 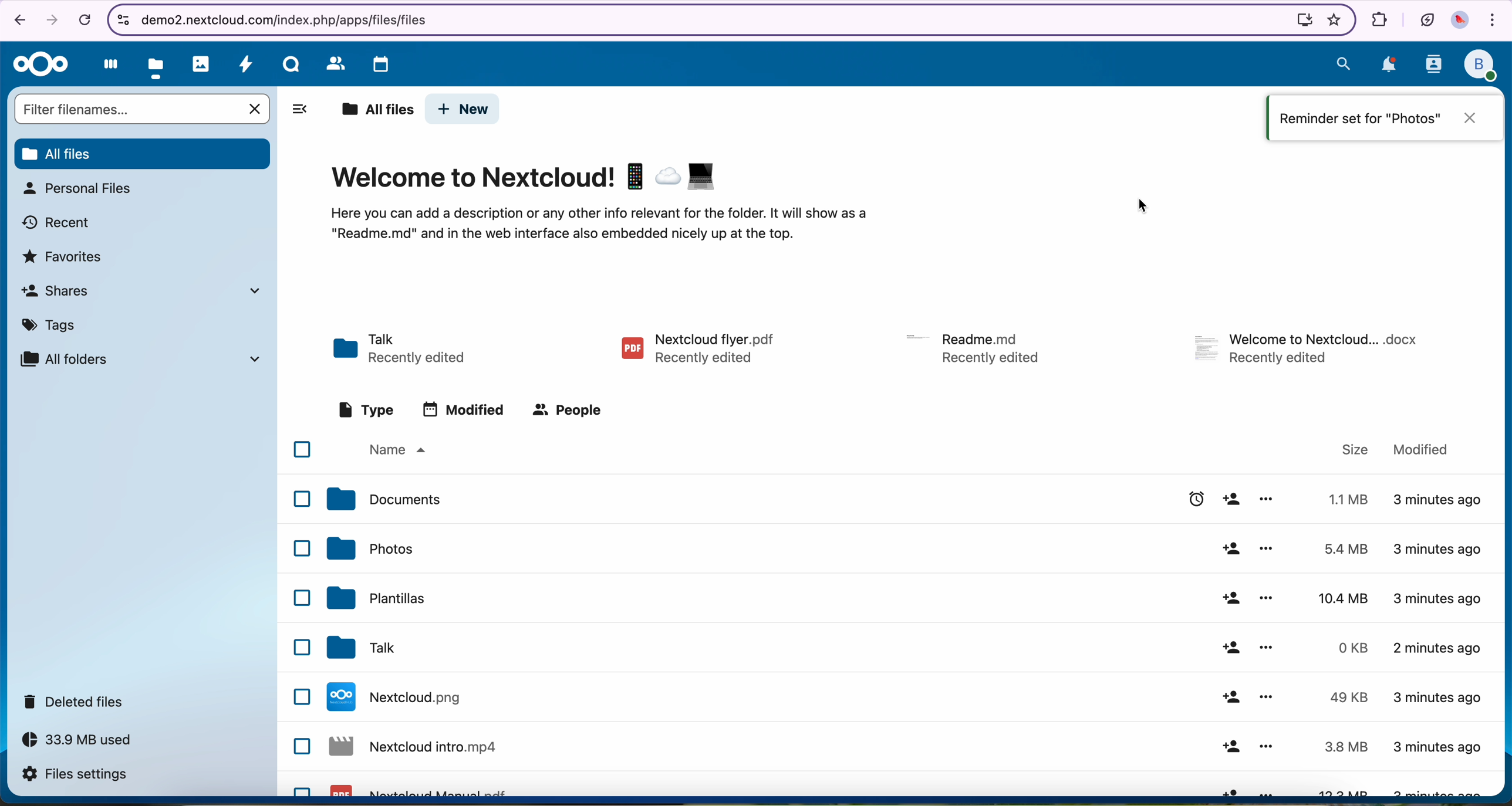 What do you see at coordinates (1331, 19) in the screenshot?
I see `favorites` at bounding box center [1331, 19].